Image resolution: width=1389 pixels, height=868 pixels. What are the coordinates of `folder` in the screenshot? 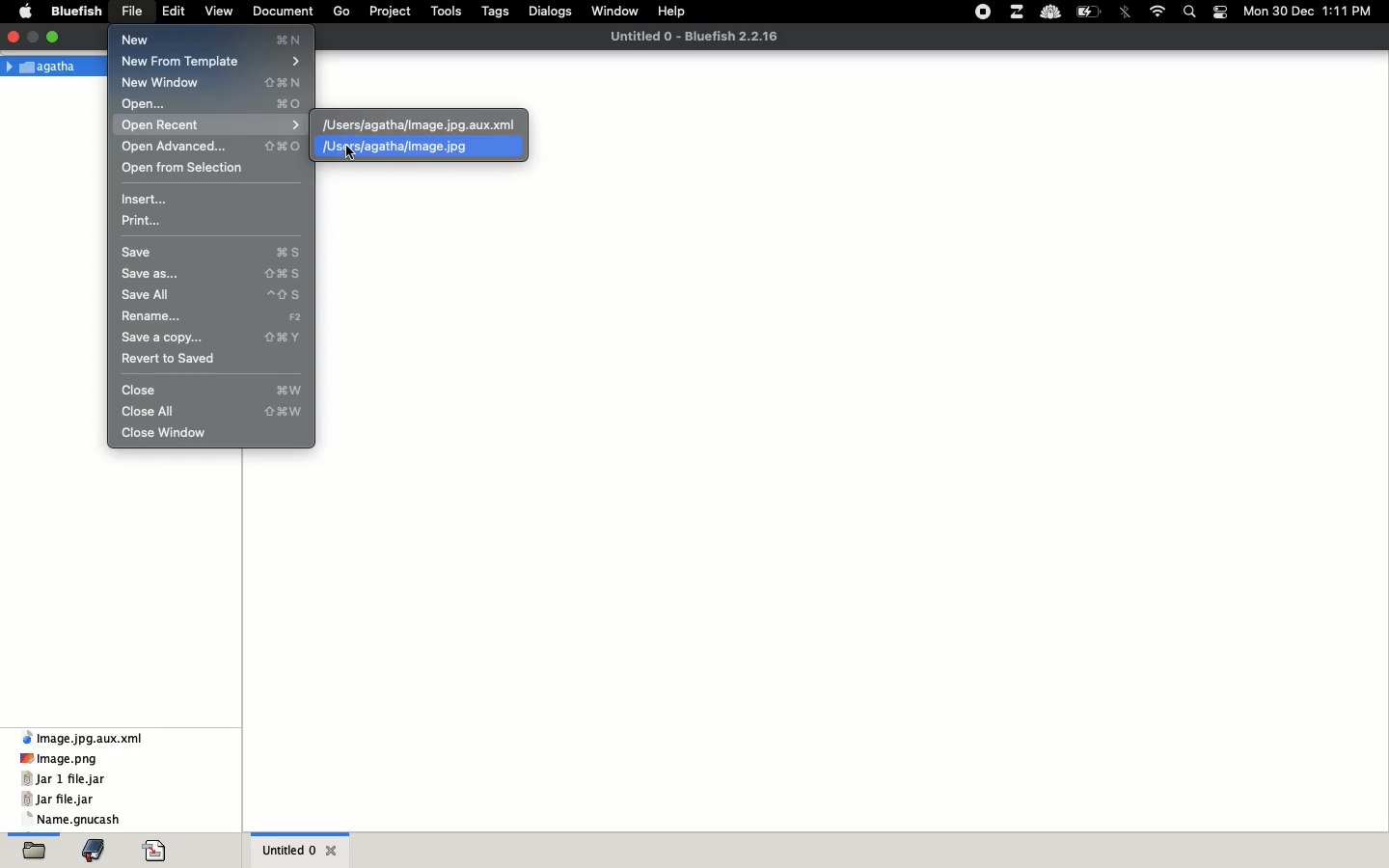 It's located at (33, 853).